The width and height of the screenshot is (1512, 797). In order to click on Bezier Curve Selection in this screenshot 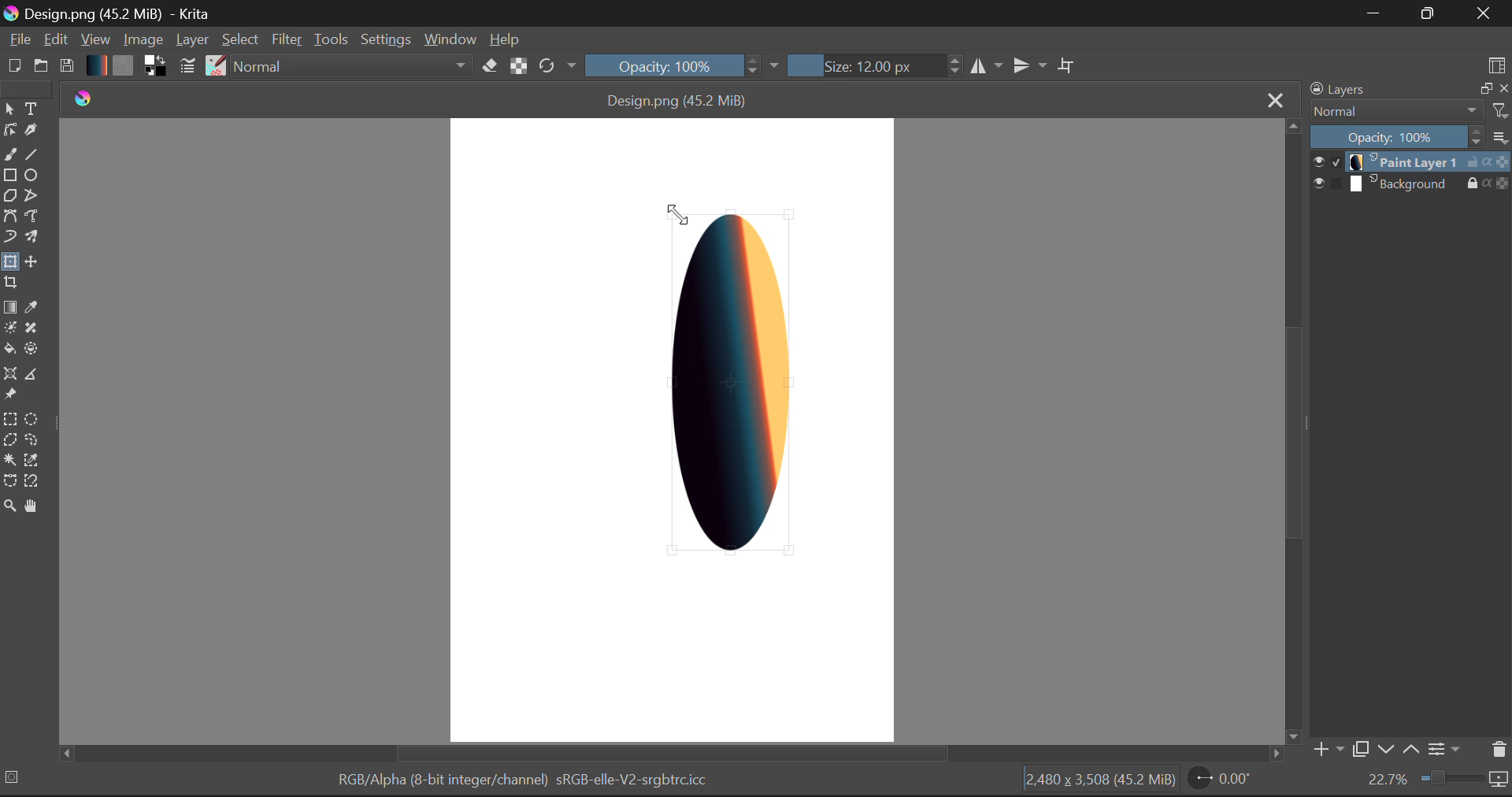, I will do `click(9, 483)`.